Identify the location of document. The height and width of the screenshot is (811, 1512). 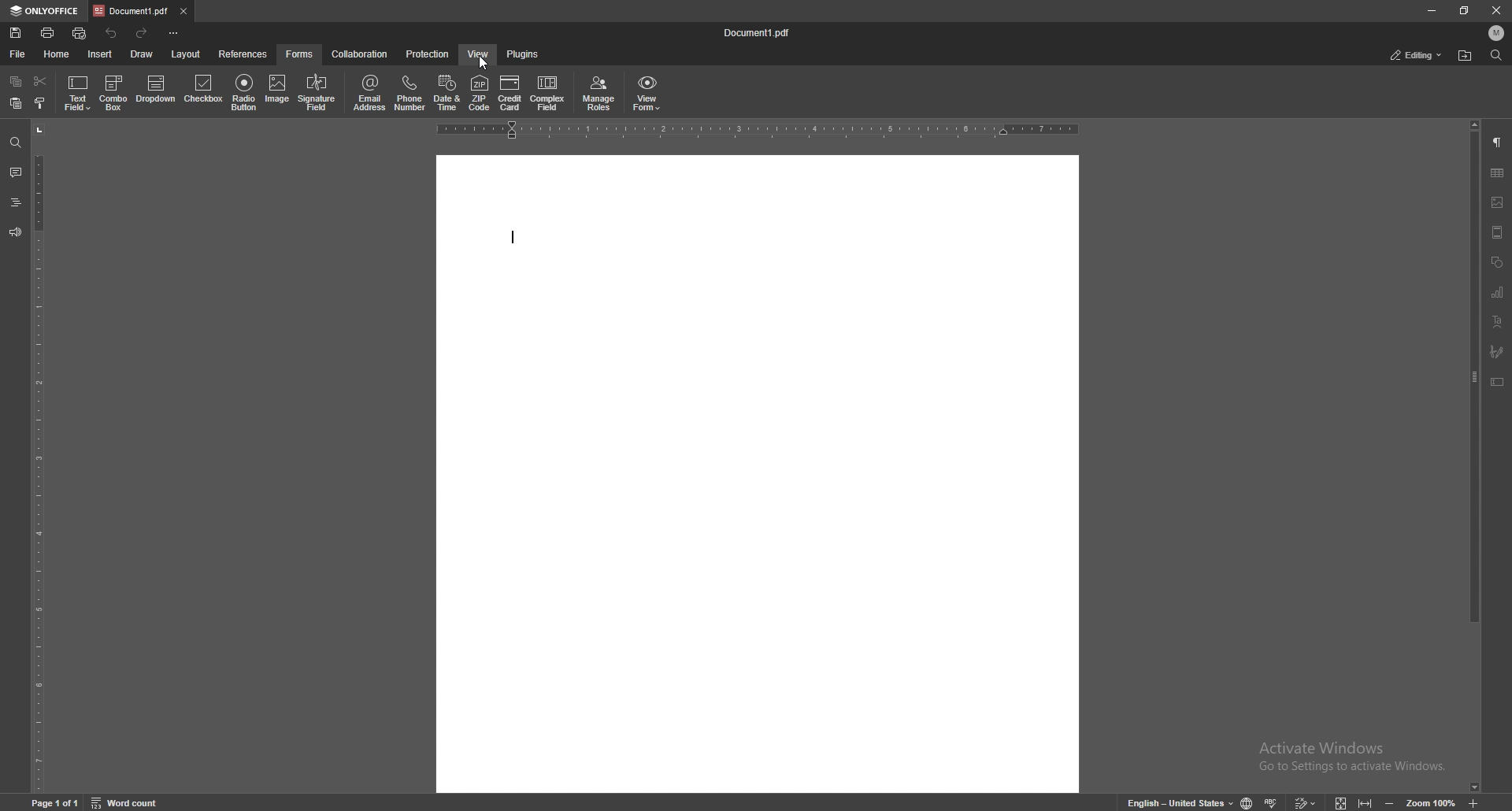
(758, 473).